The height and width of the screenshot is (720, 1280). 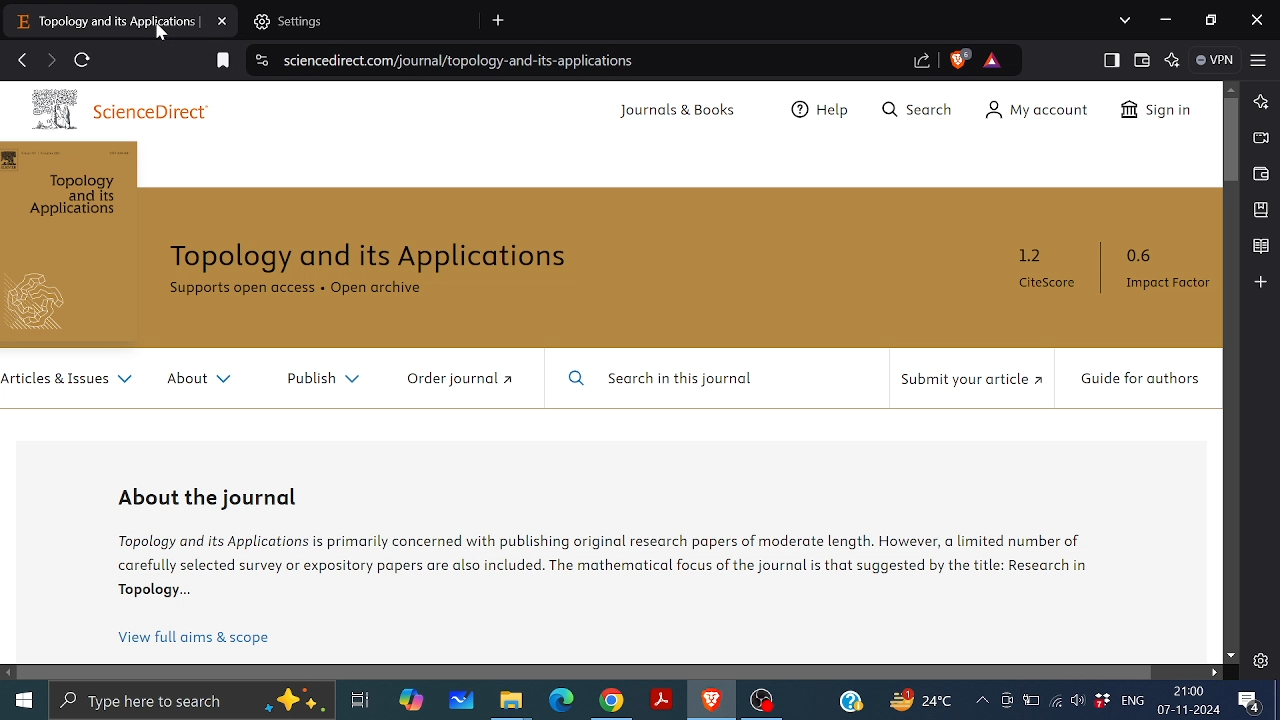 What do you see at coordinates (1260, 660) in the screenshot?
I see `Settings` at bounding box center [1260, 660].